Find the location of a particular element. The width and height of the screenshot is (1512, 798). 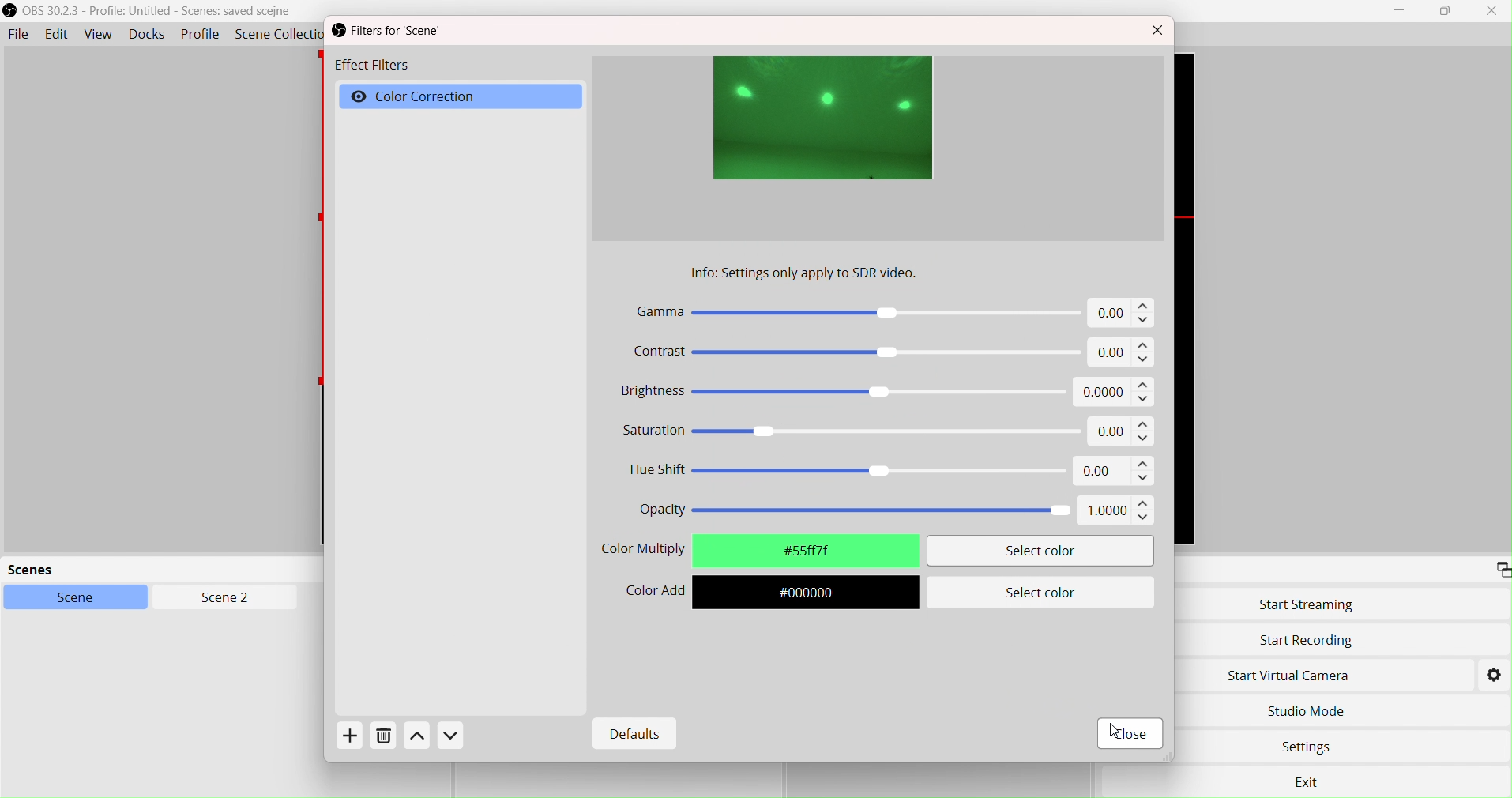

0.00 is located at coordinates (1115, 392).